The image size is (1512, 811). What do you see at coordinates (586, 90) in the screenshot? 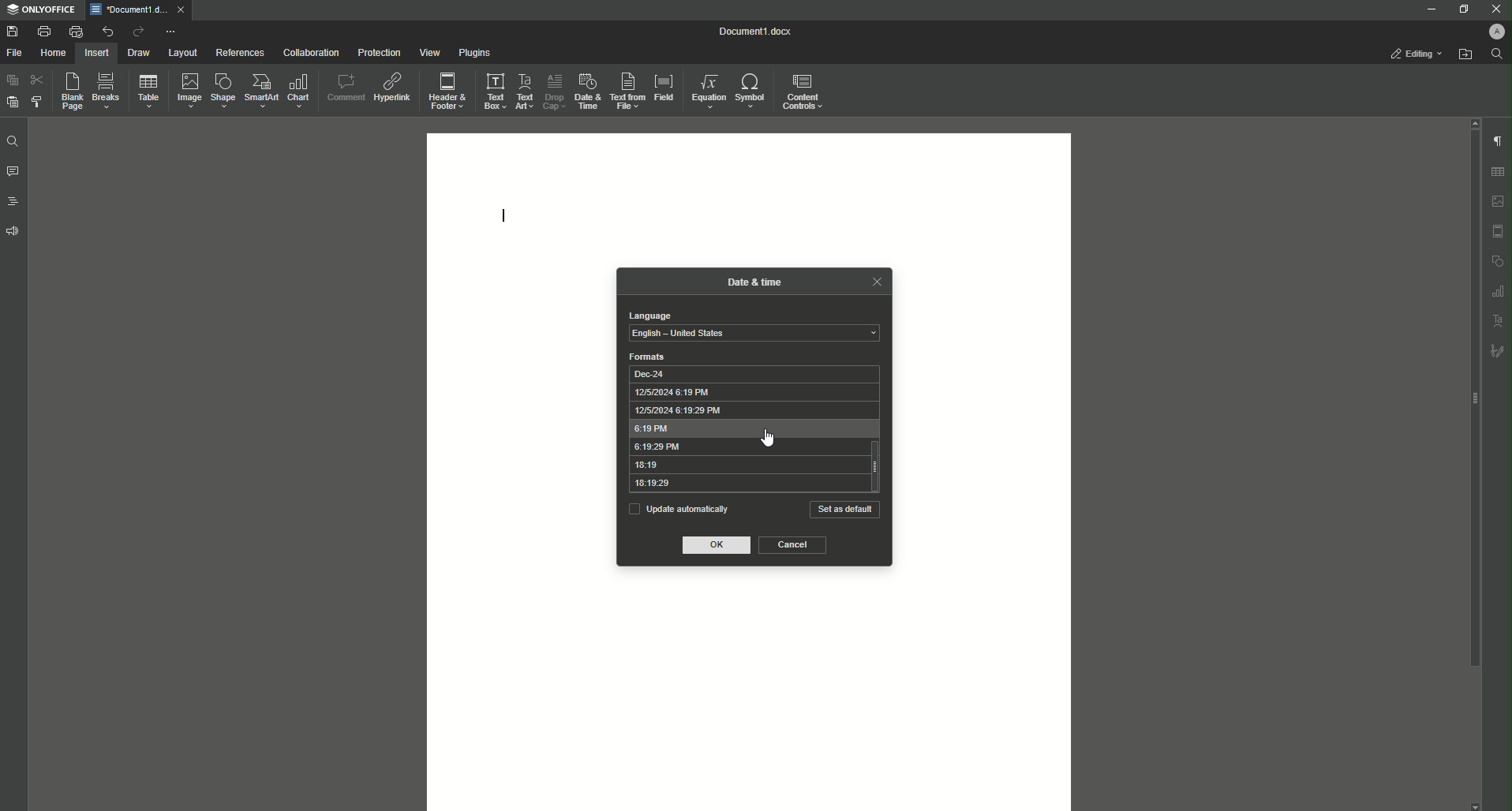
I see `Date and Time` at bounding box center [586, 90].